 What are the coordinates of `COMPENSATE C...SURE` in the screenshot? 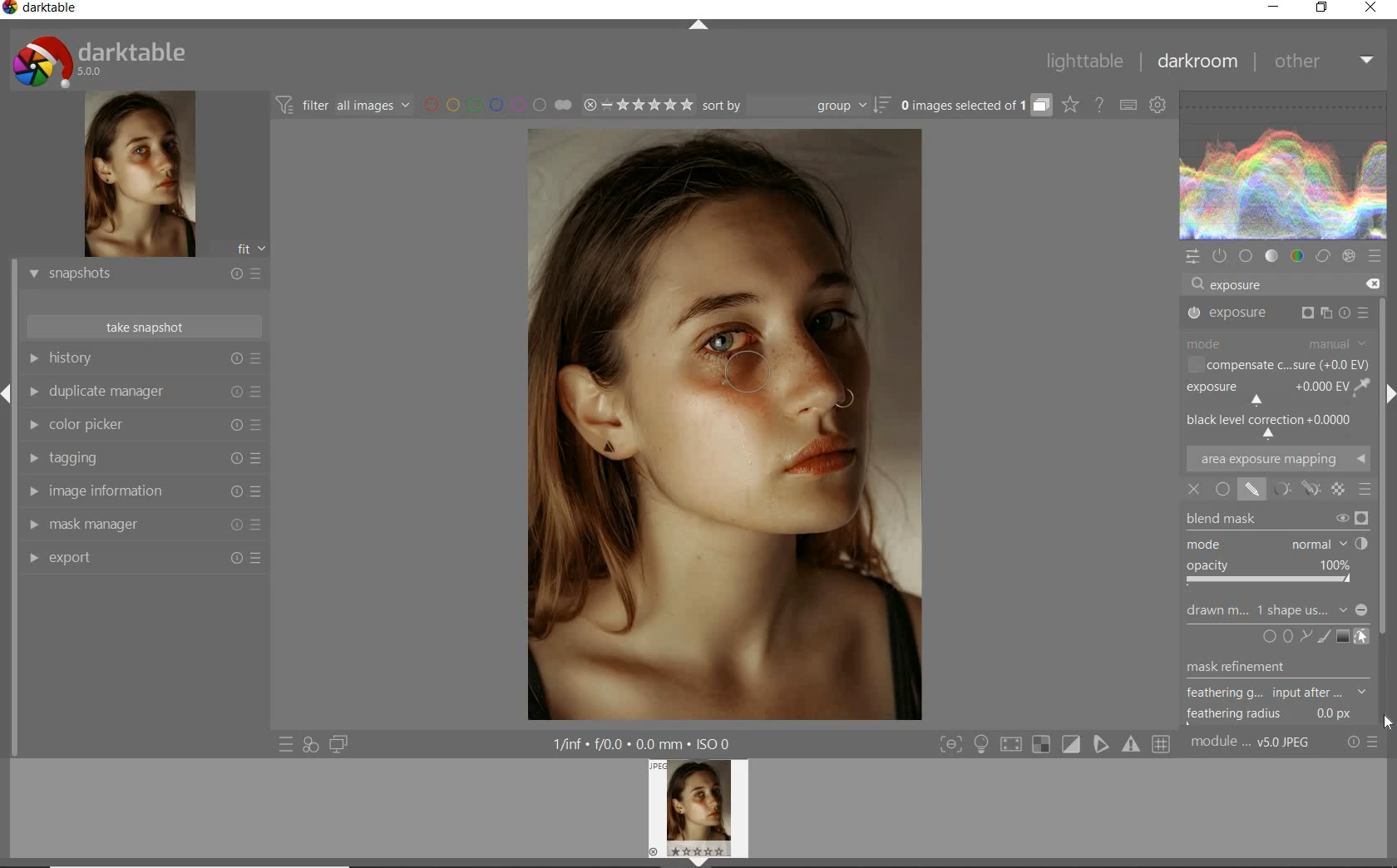 It's located at (1276, 364).